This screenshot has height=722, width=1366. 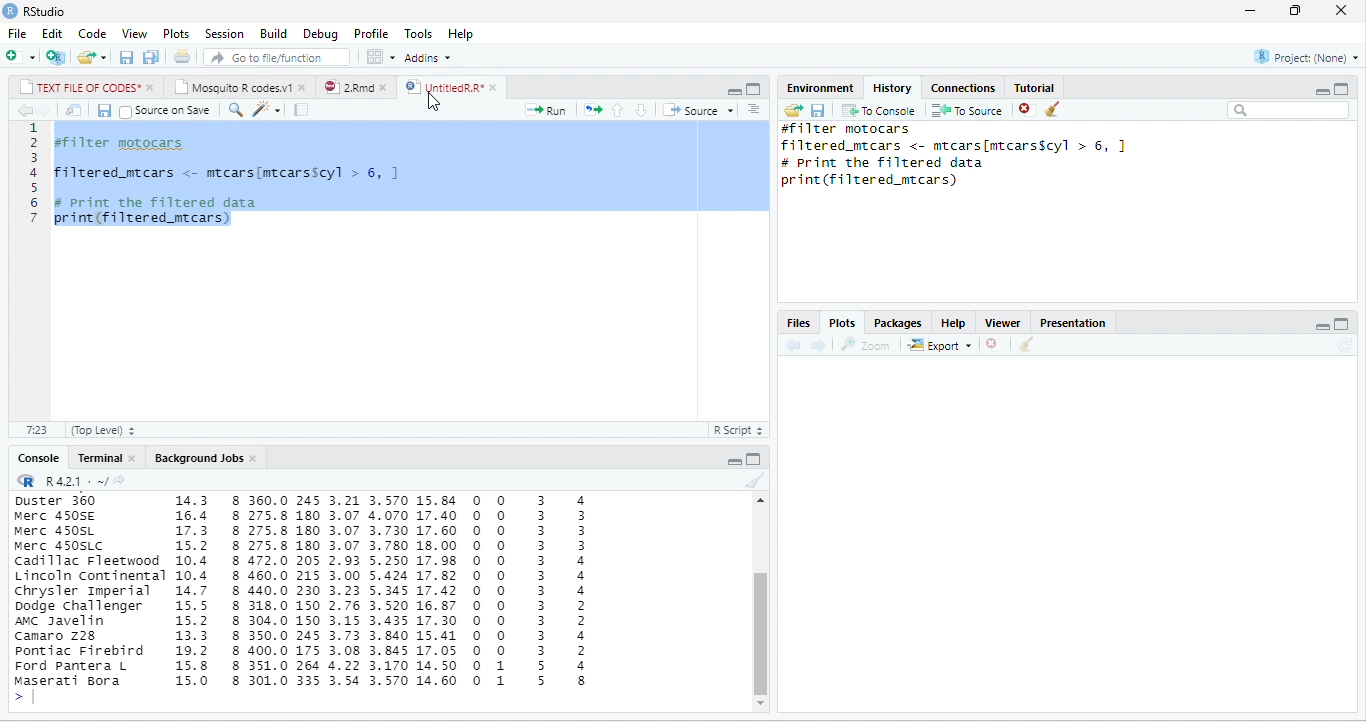 I want to click on maximize, so click(x=753, y=89).